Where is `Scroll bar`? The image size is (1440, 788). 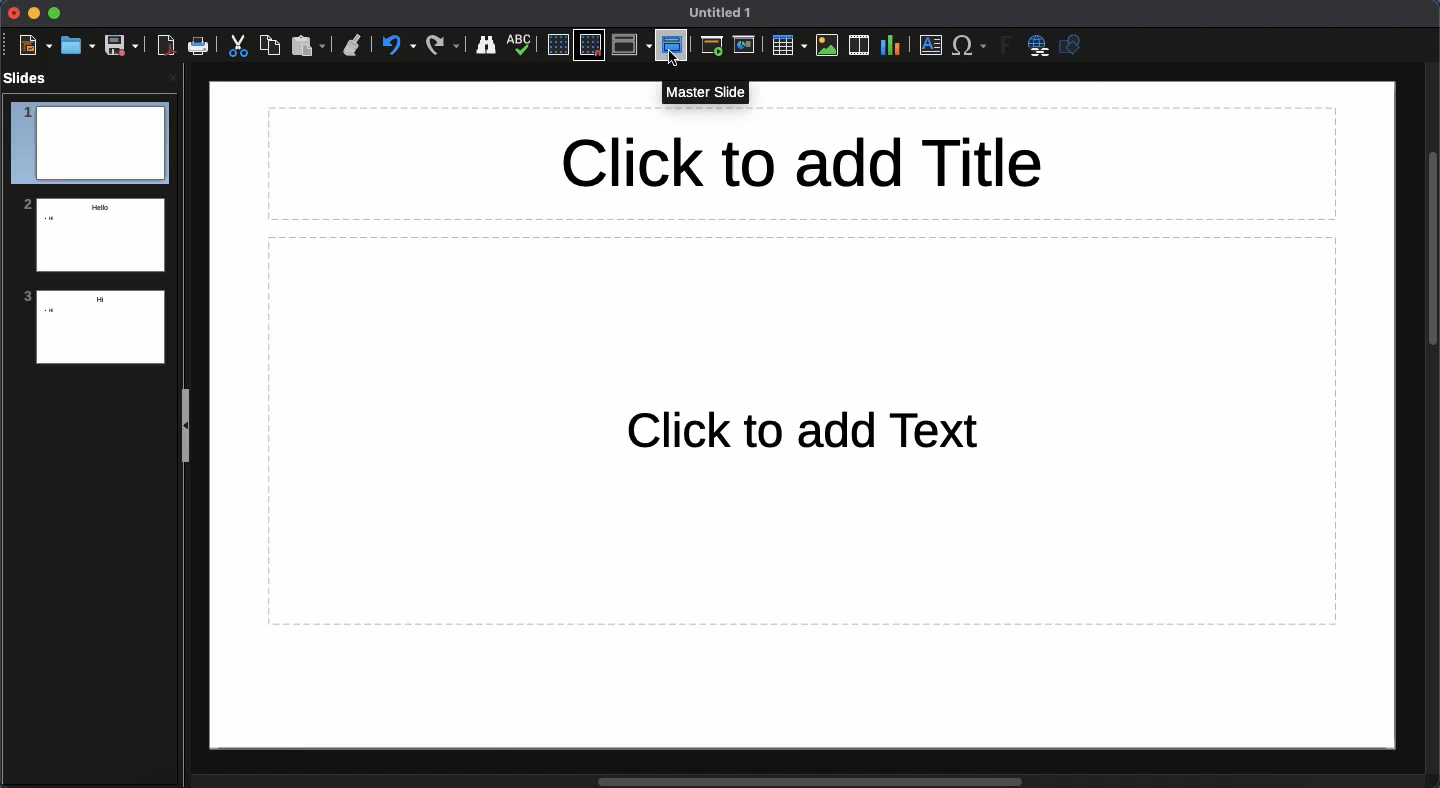 Scroll bar is located at coordinates (1431, 249).